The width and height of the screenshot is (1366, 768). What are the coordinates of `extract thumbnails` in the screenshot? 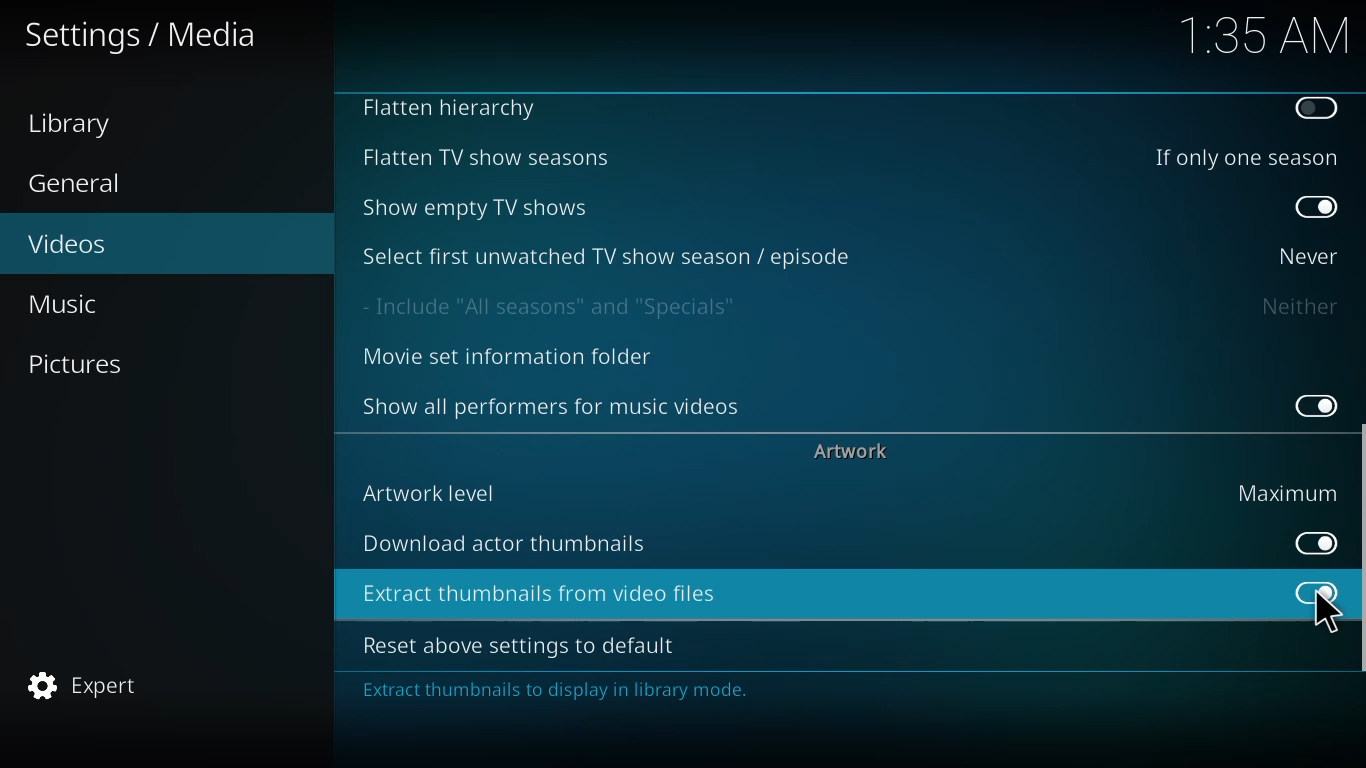 It's located at (543, 594).